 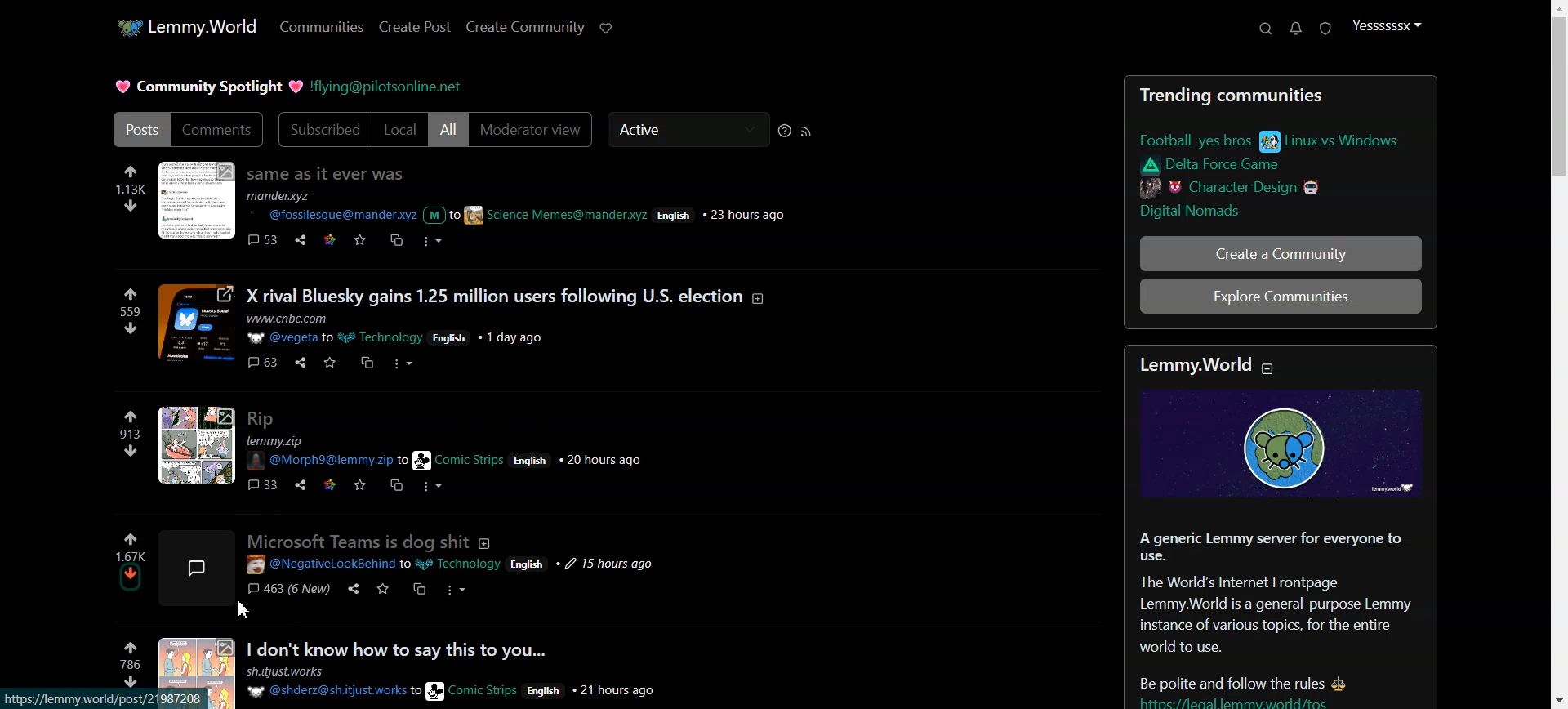 I want to click on Support Lemmy, so click(x=606, y=28).